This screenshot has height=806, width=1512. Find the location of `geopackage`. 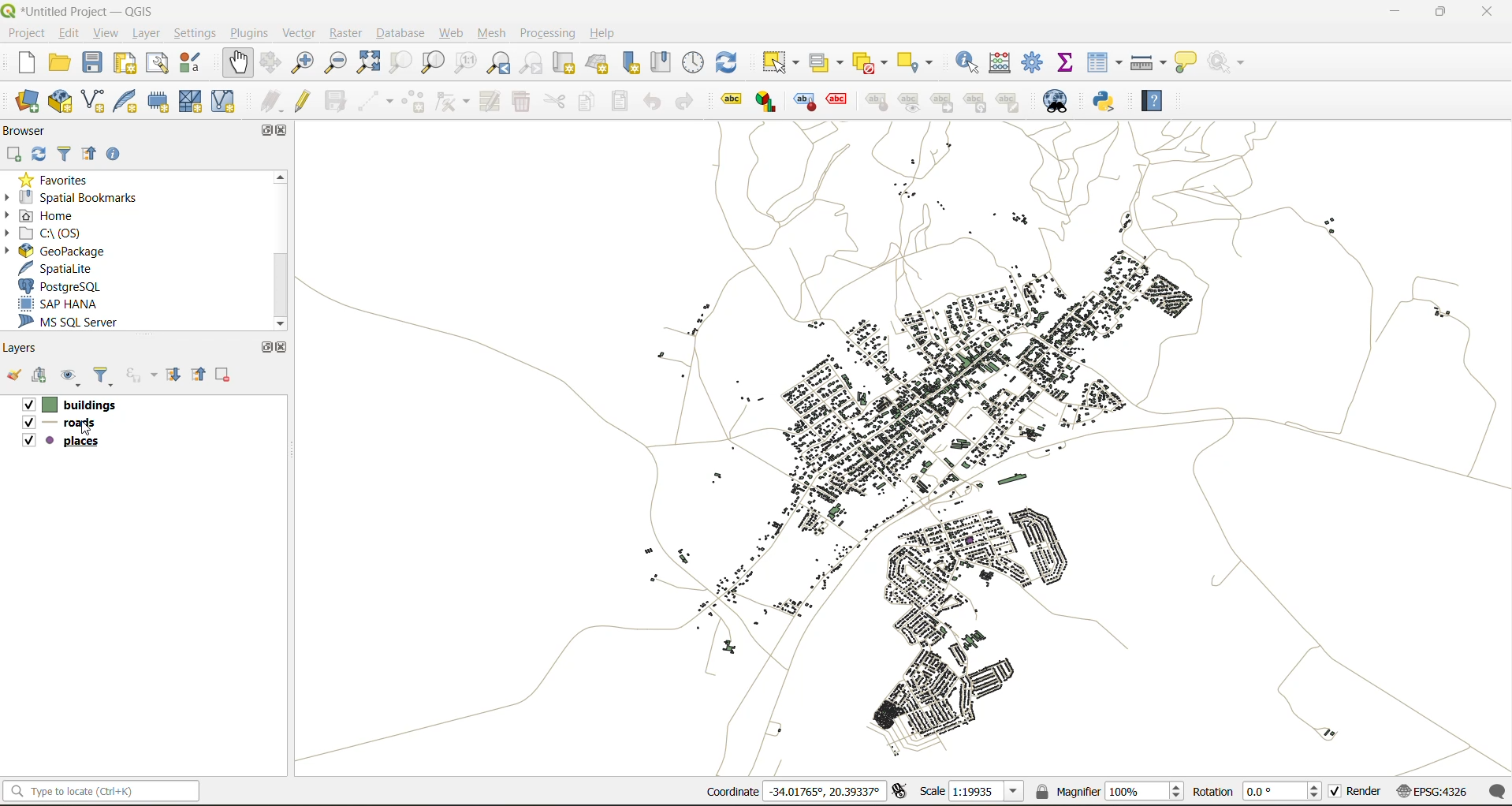

geopackage is located at coordinates (69, 252).